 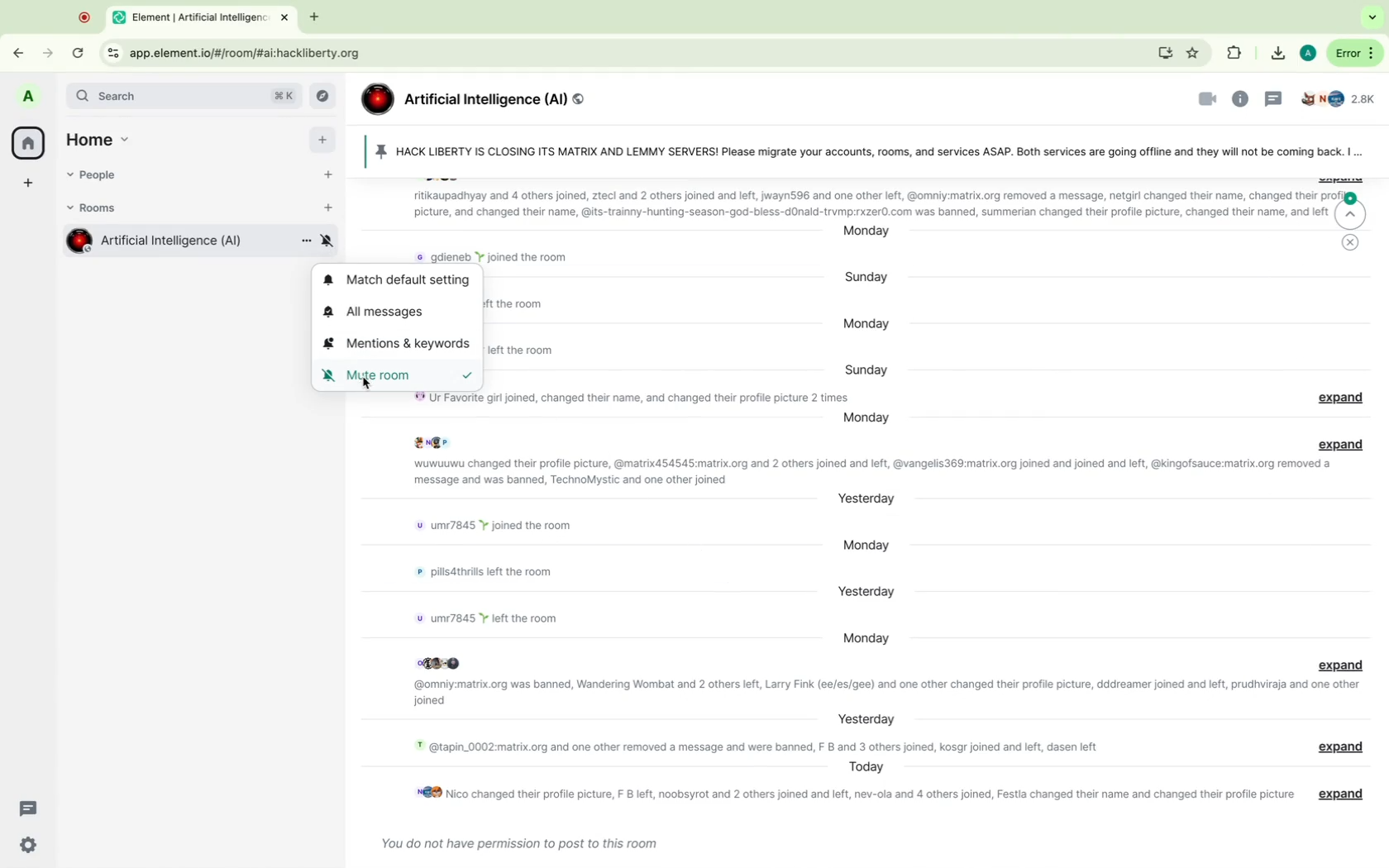 What do you see at coordinates (155, 241) in the screenshot?
I see `room` at bounding box center [155, 241].